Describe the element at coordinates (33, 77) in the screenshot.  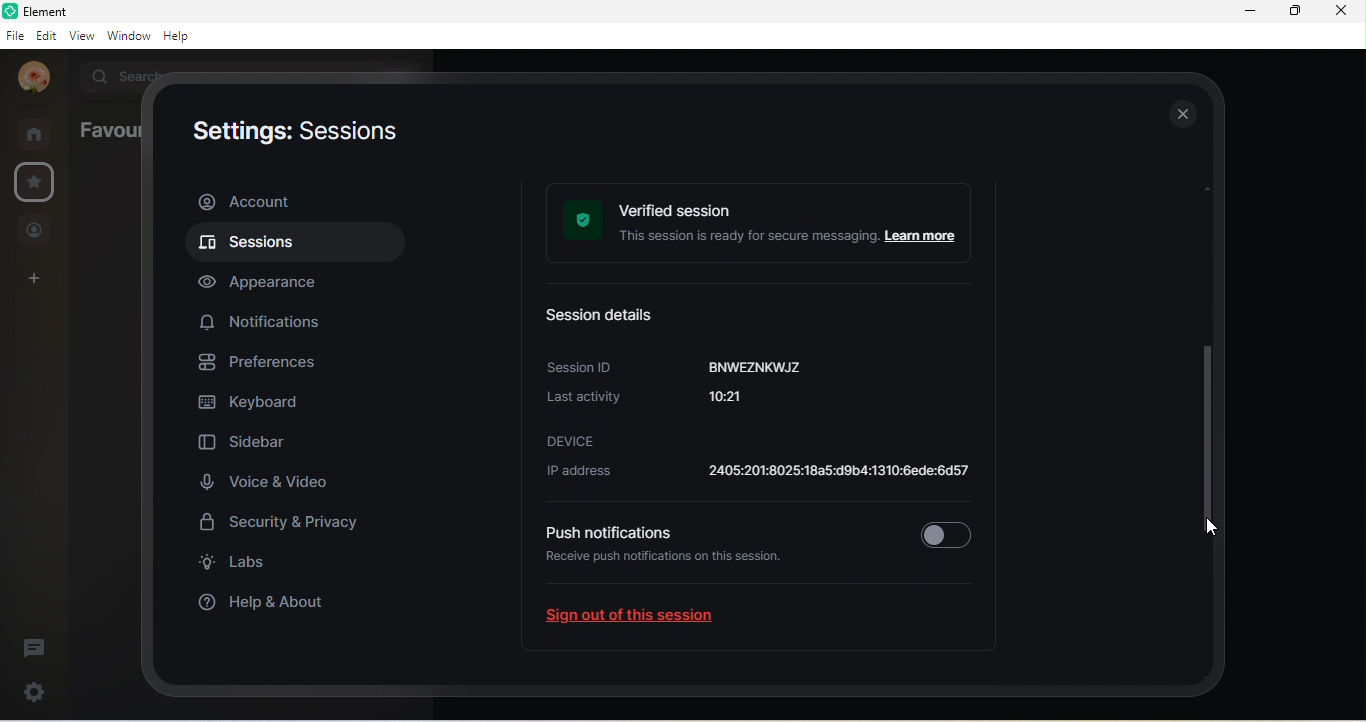
I see `account` at that location.